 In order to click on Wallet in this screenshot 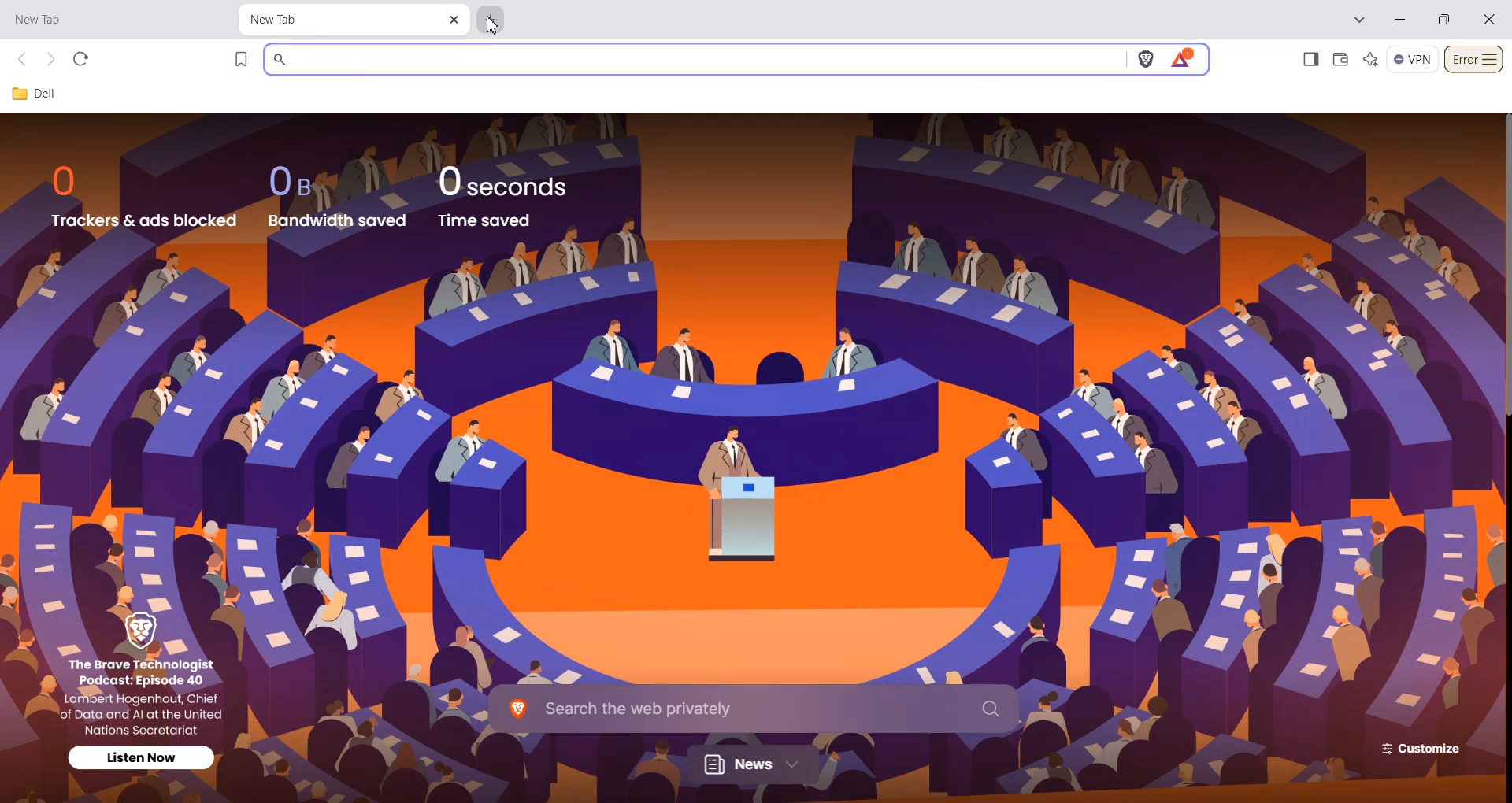, I will do `click(1340, 59)`.